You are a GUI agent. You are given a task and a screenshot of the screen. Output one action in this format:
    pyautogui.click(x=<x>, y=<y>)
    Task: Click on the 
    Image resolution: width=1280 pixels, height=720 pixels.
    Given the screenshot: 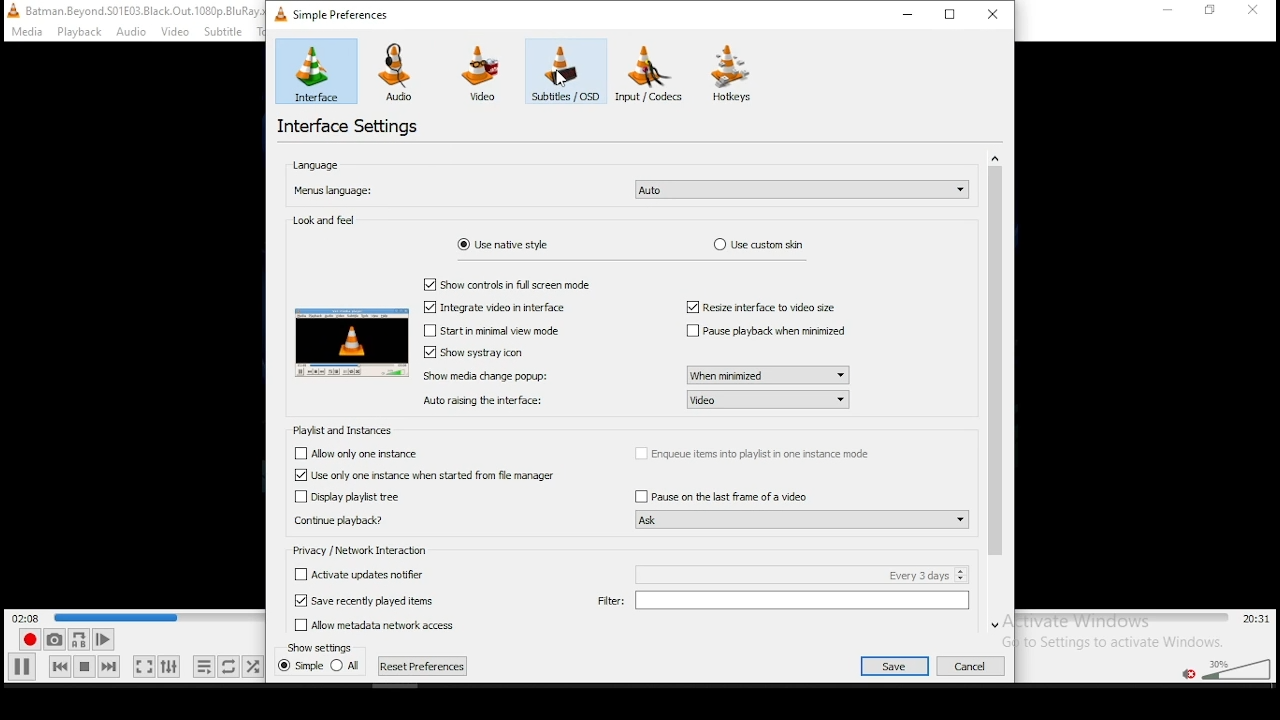 What is the action you would take?
    pyautogui.click(x=370, y=624)
    